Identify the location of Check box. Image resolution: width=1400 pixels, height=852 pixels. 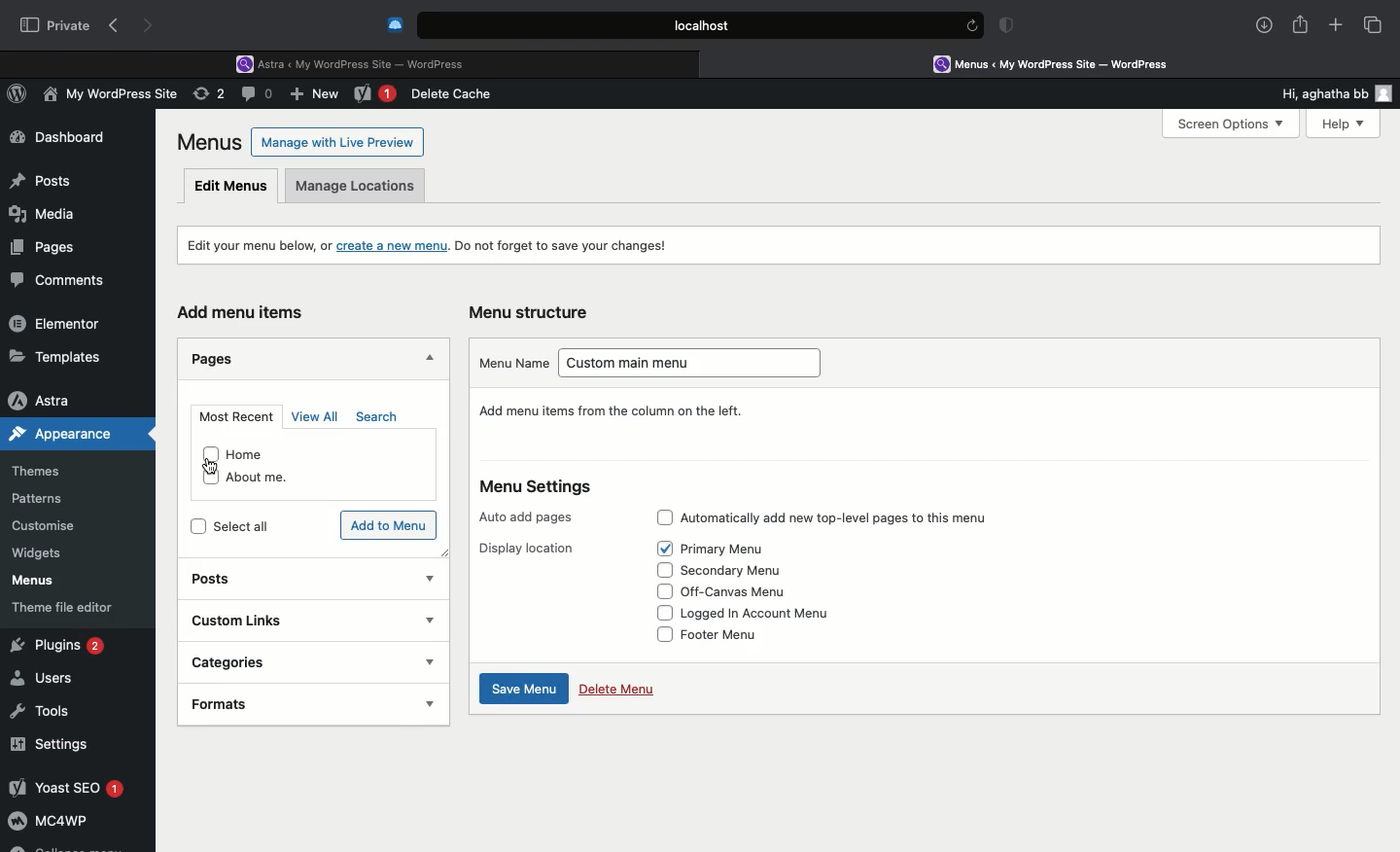
(659, 591).